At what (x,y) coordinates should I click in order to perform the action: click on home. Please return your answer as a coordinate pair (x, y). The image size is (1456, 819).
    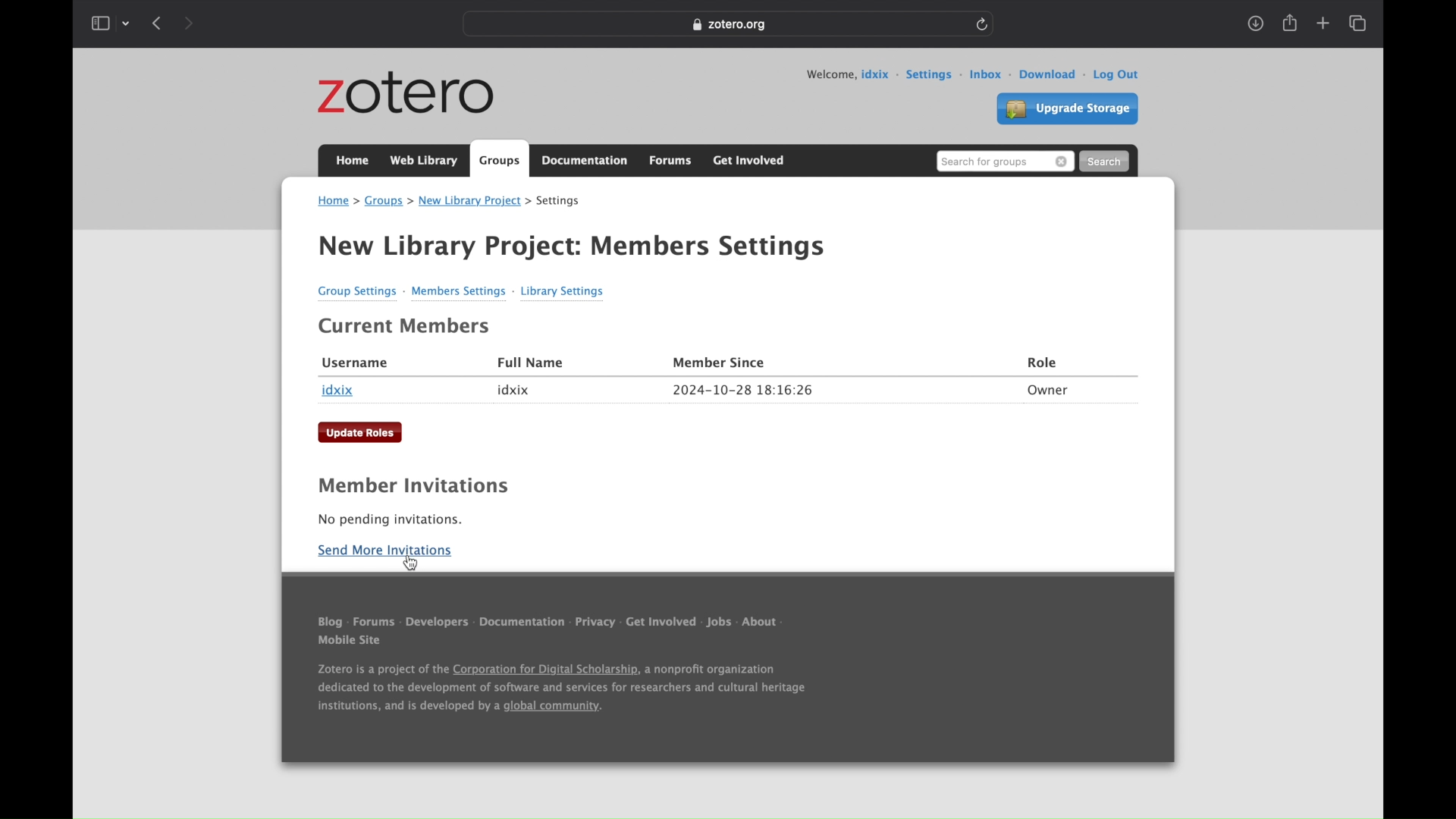
    Looking at the image, I should click on (352, 160).